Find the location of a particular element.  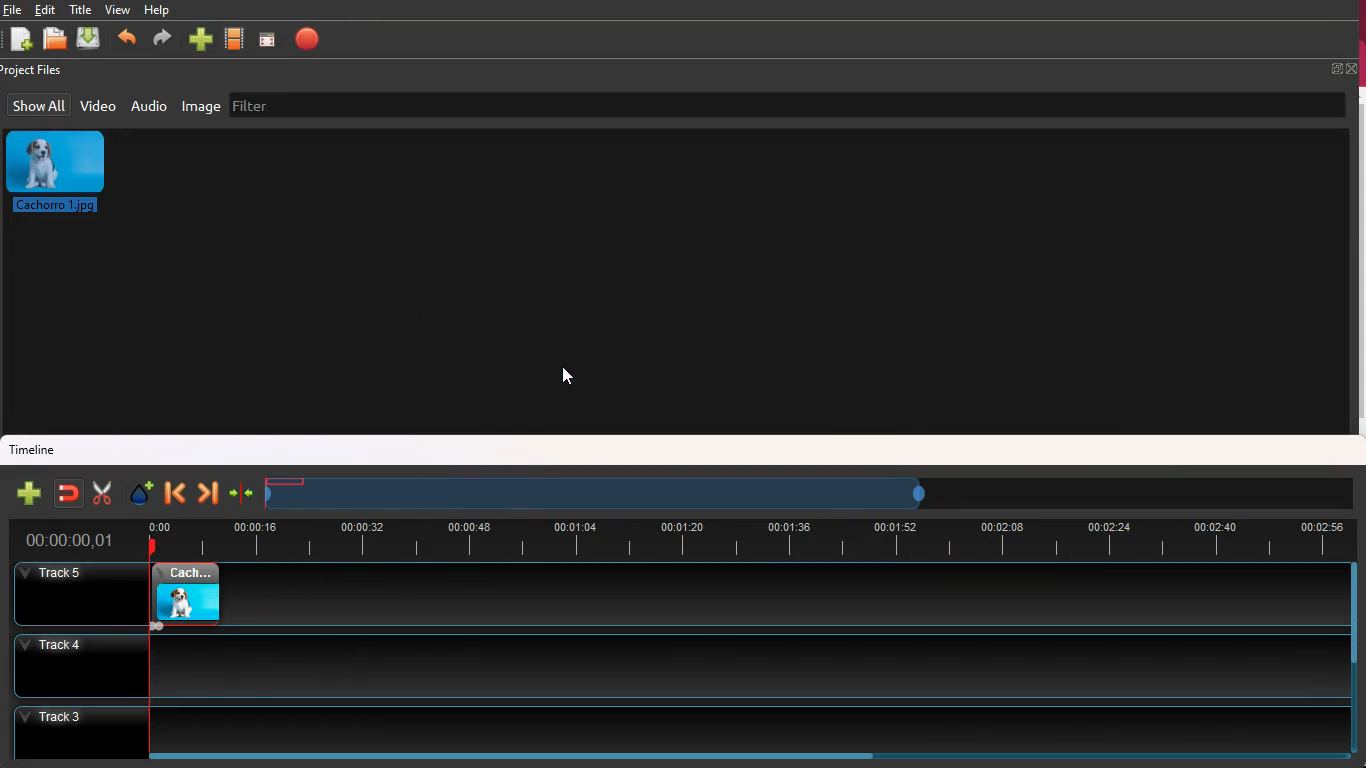

cursor is located at coordinates (568, 376).